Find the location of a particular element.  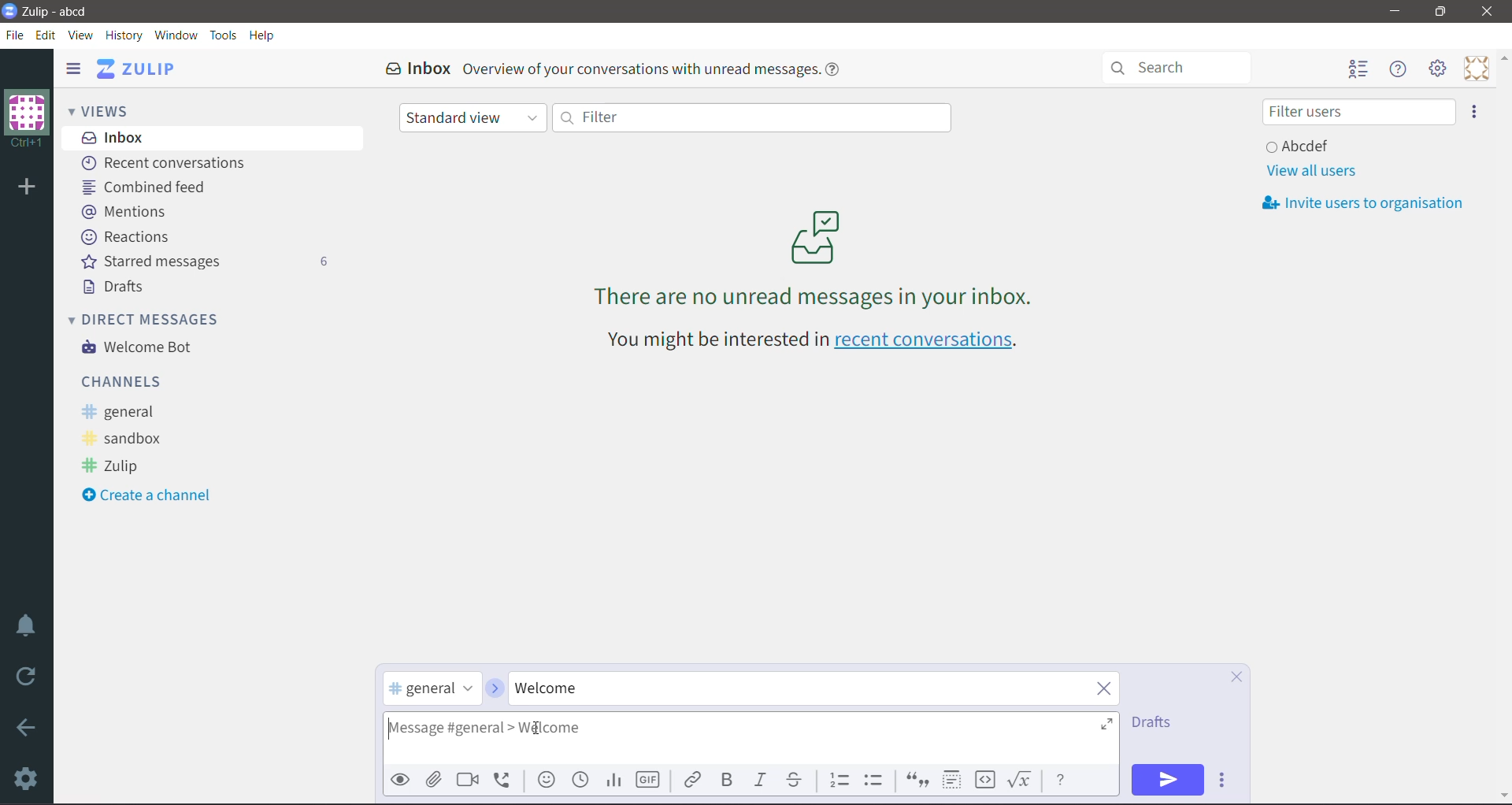

Drafts is located at coordinates (117, 287).